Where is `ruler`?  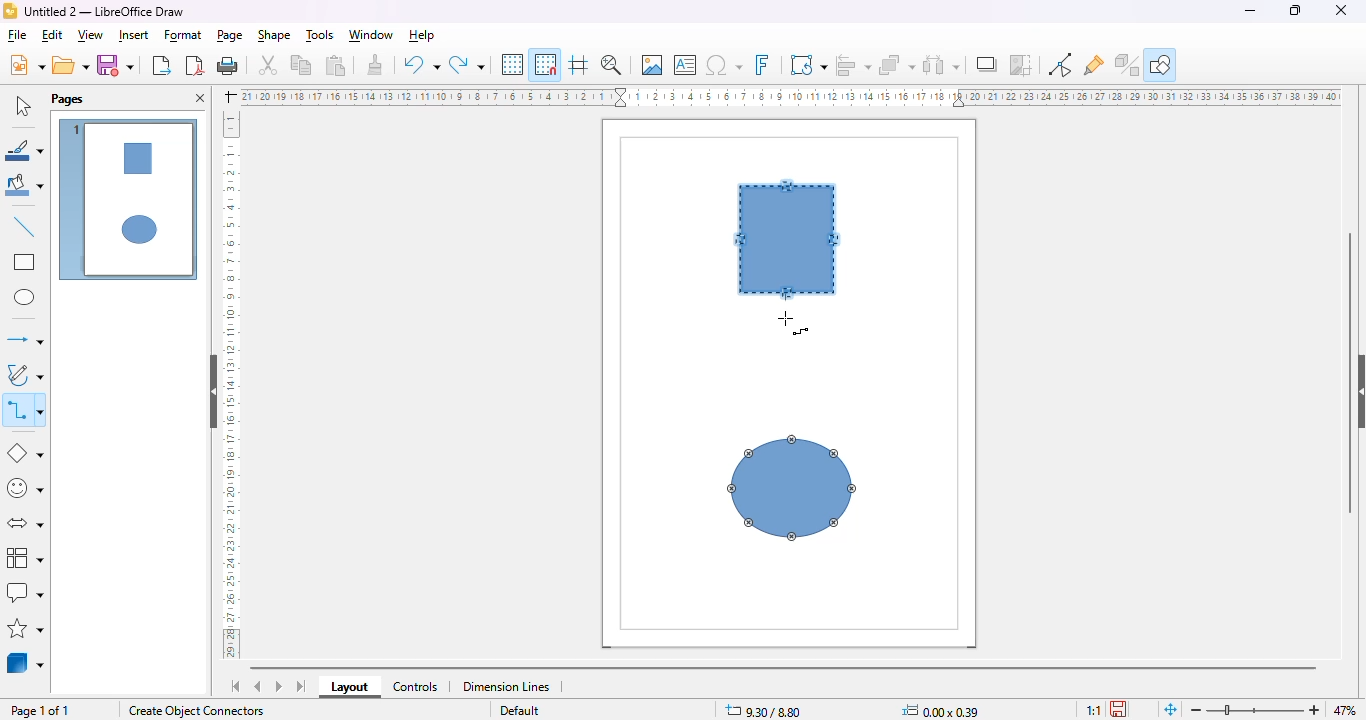 ruler is located at coordinates (231, 385).